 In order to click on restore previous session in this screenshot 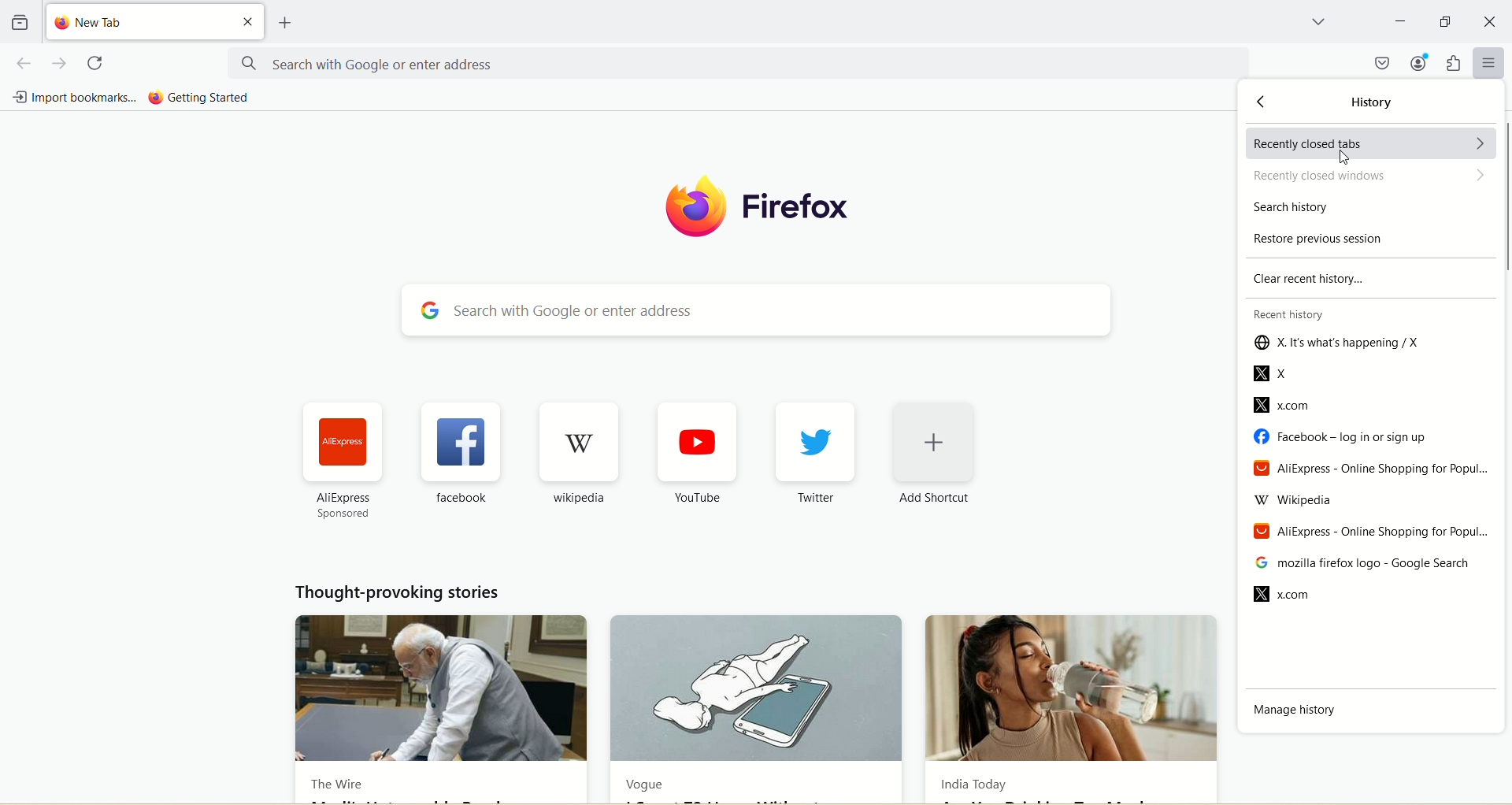, I will do `click(1372, 239)`.